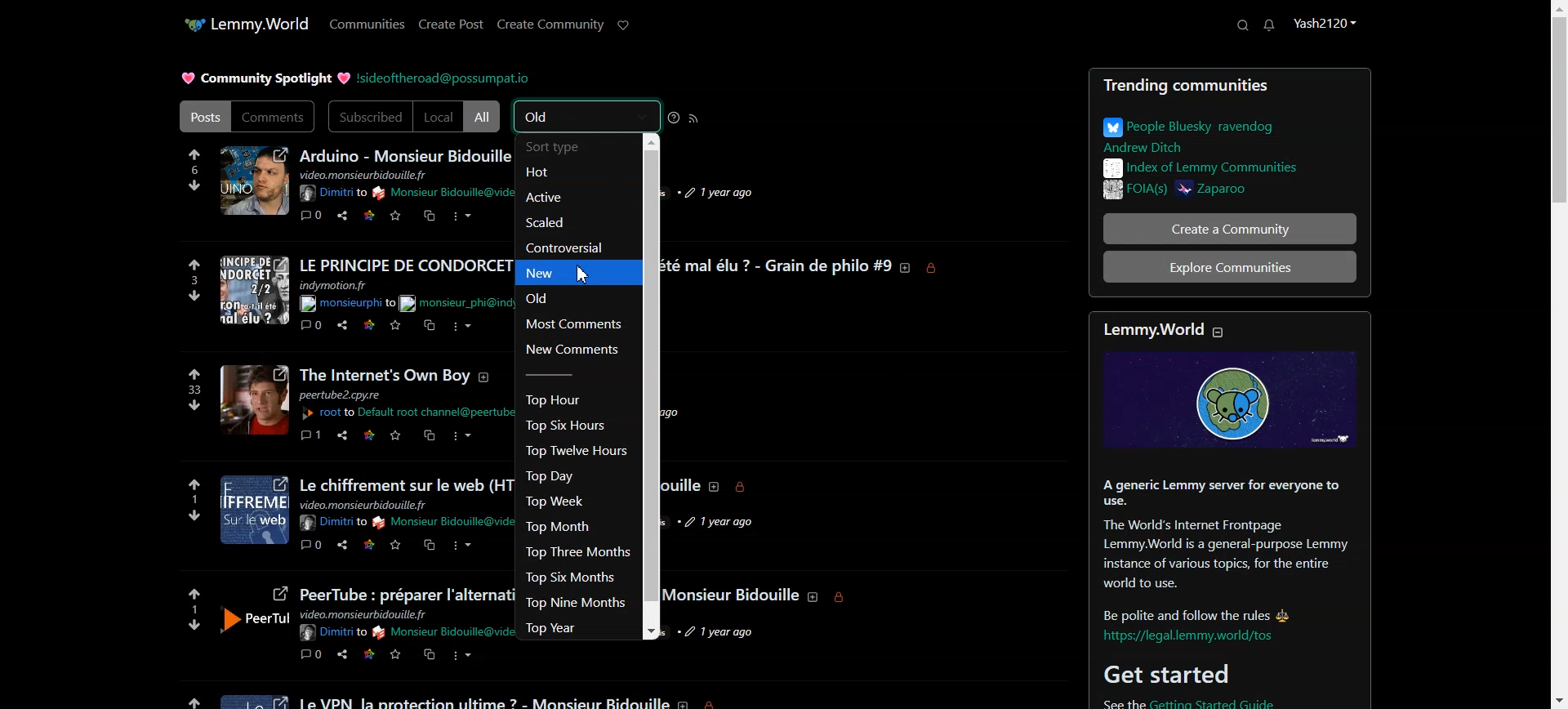 This screenshot has width=1568, height=709. Describe the element at coordinates (348, 304) in the screenshot. I see `monsieurphi to [I monsieur_phi@indymotion.fr` at that location.